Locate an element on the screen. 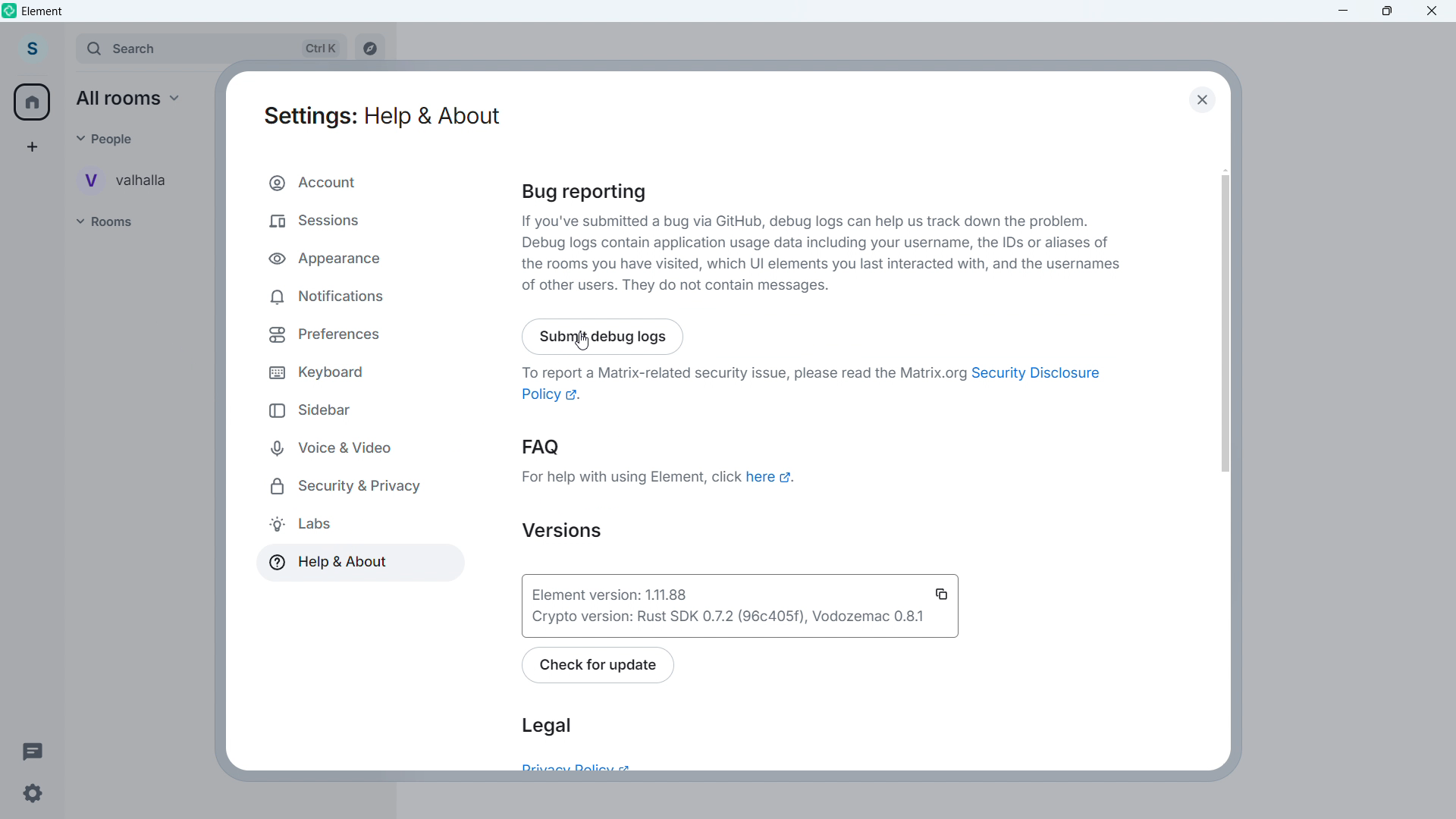  Preferences  is located at coordinates (330, 334).